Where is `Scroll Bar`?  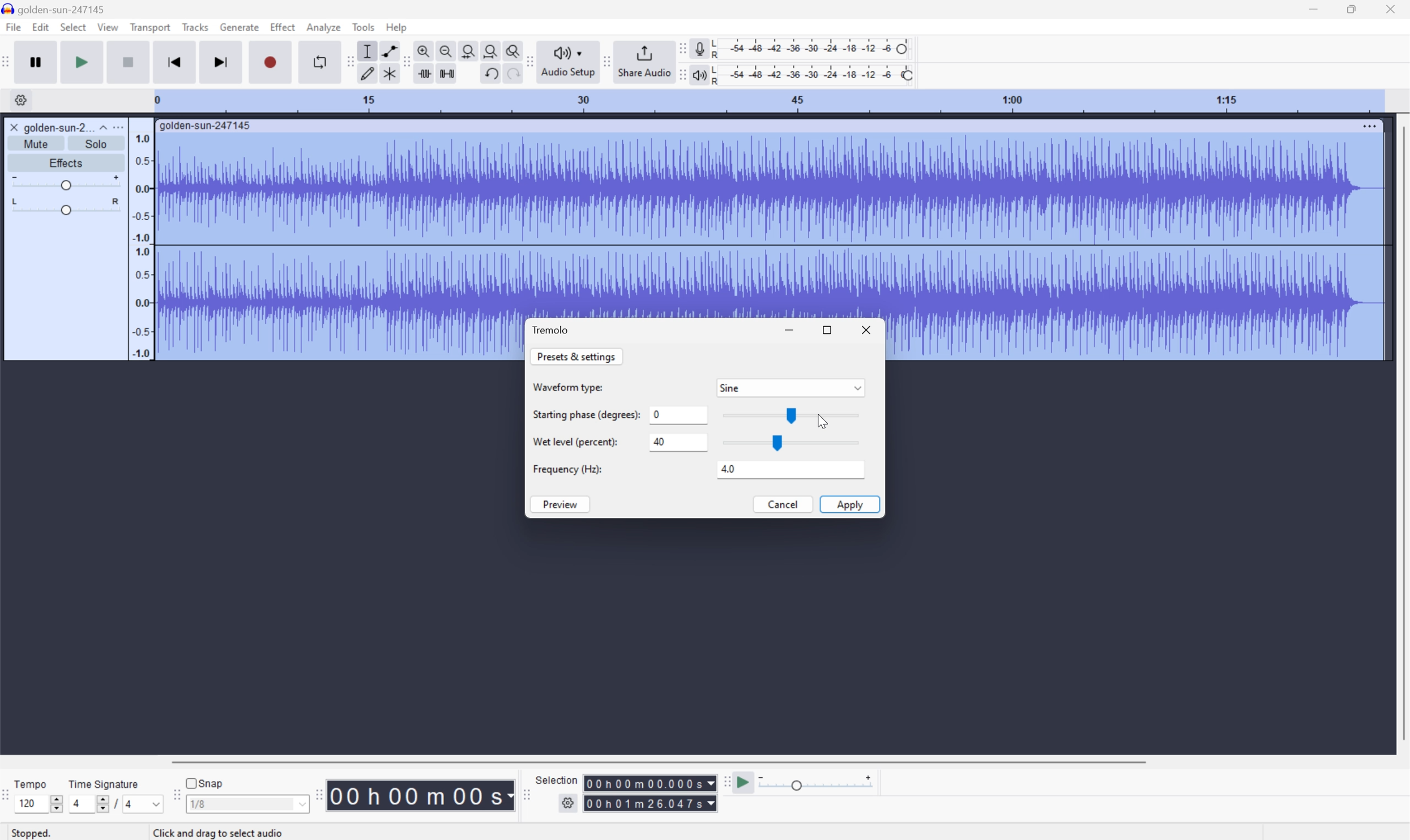
Scroll Bar is located at coordinates (1401, 432).